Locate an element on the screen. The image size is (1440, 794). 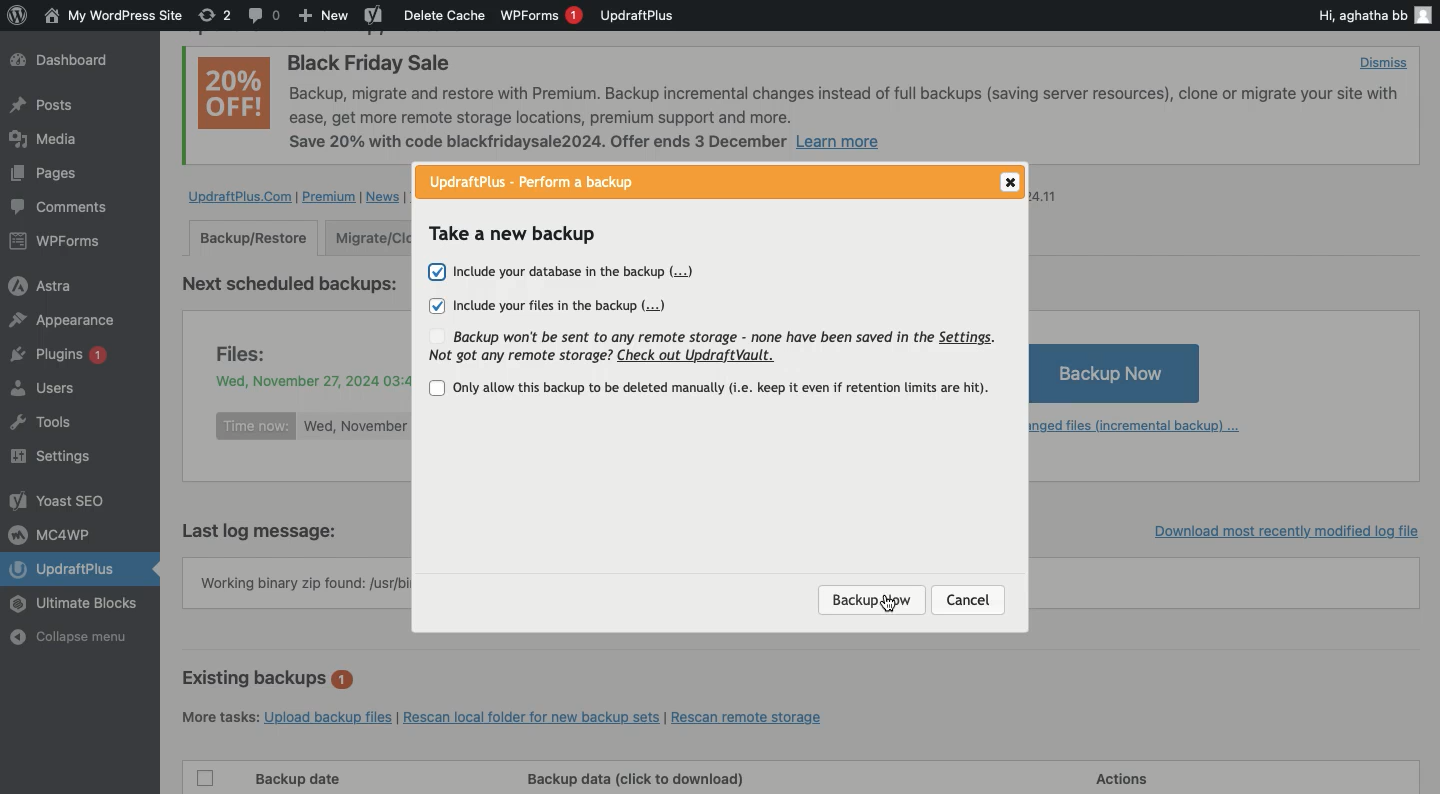
Cancel is located at coordinates (969, 599).